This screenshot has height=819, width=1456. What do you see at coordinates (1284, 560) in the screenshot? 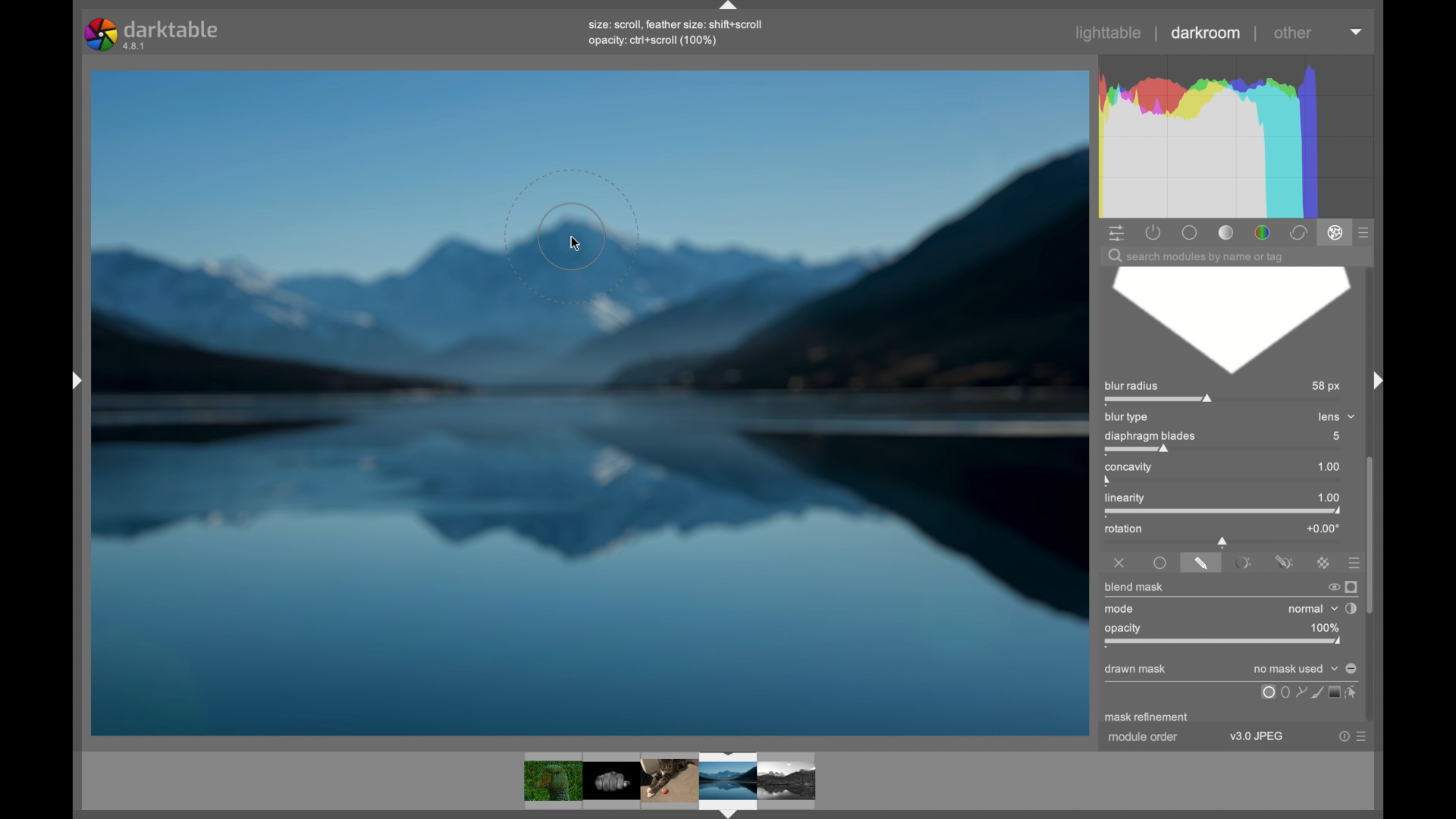
I see `drawn and parametric mask` at bounding box center [1284, 560].